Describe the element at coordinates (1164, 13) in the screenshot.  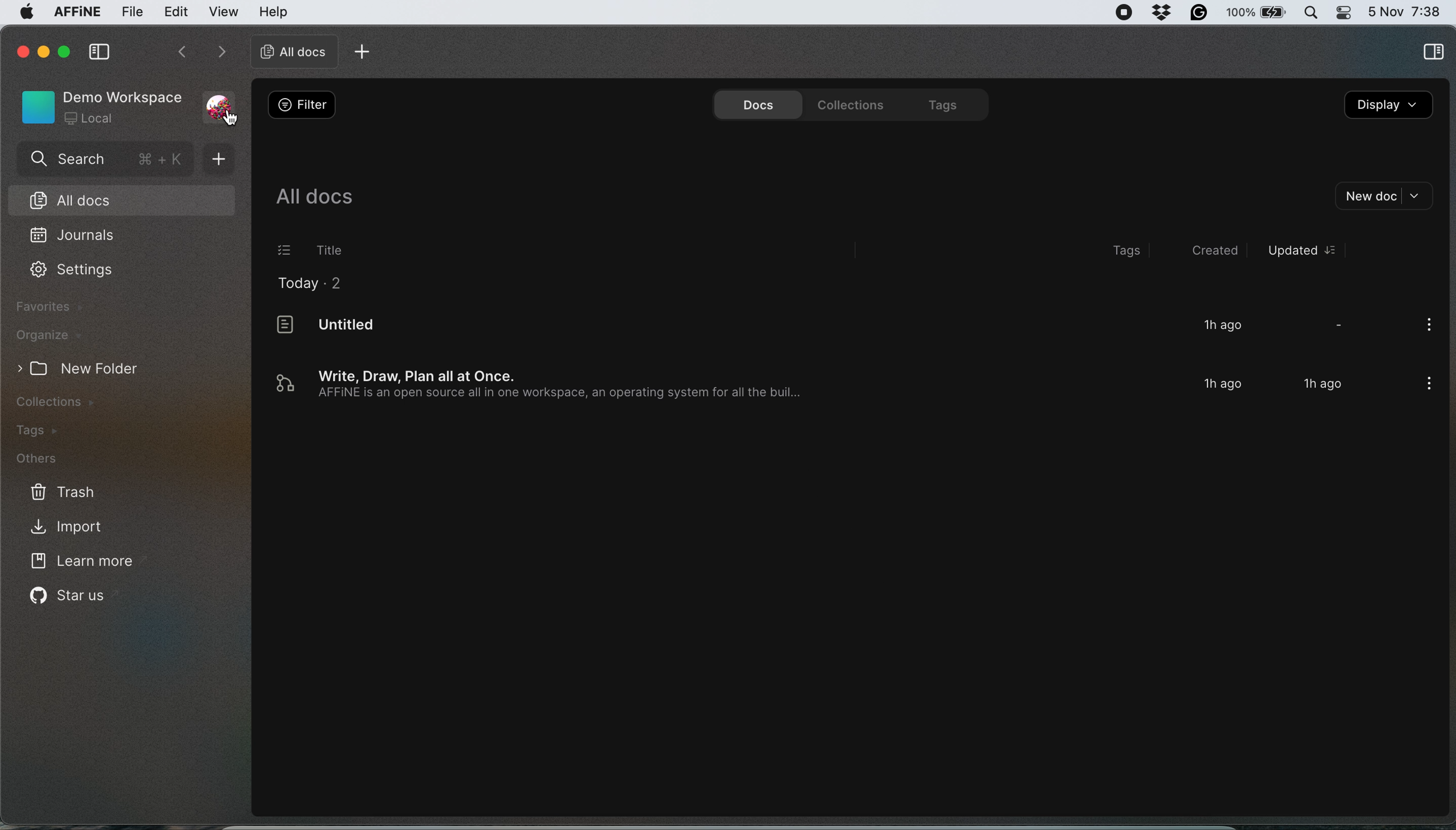
I see `dropbox` at that location.